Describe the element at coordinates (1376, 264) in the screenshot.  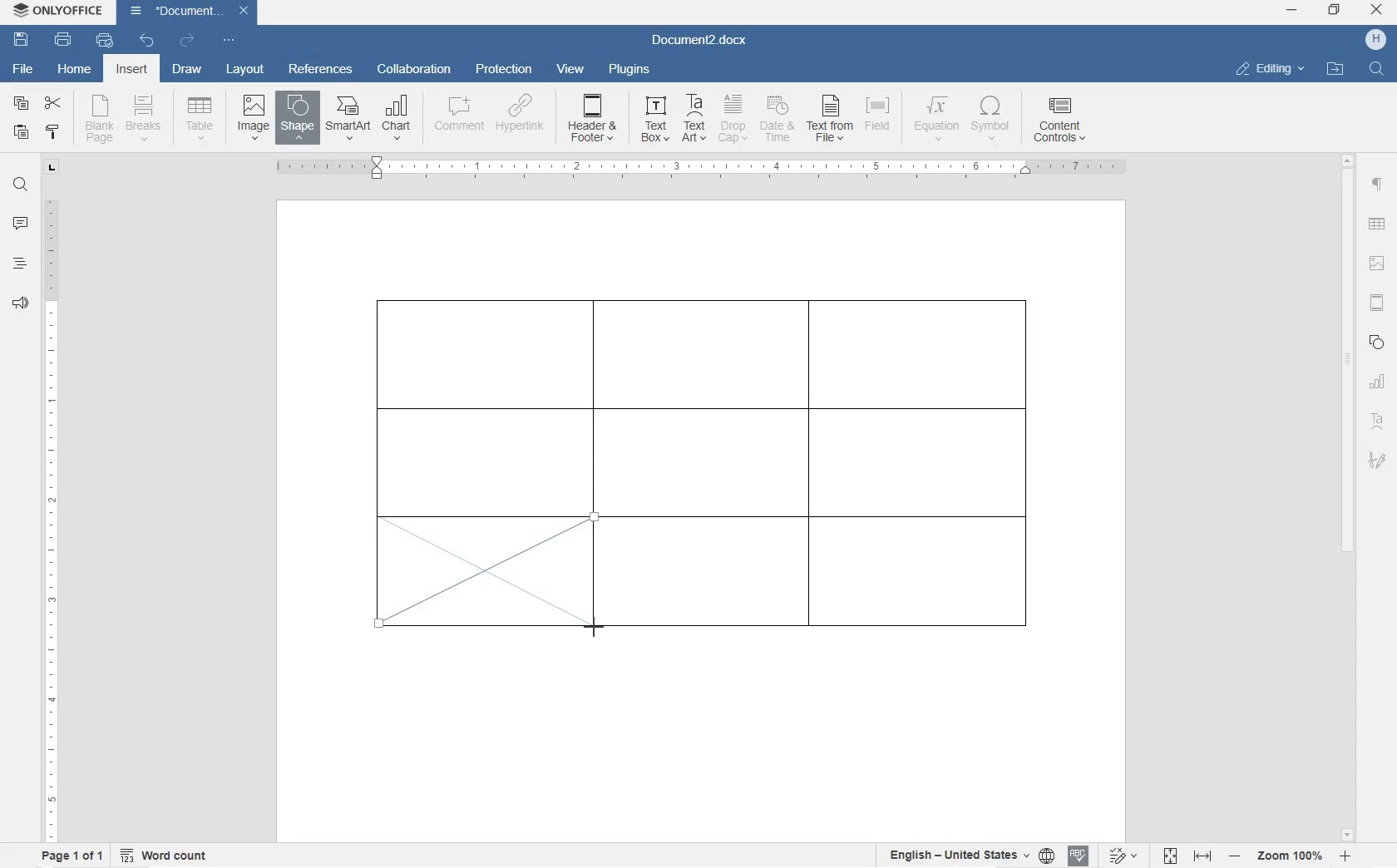
I see `image settings` at that location.